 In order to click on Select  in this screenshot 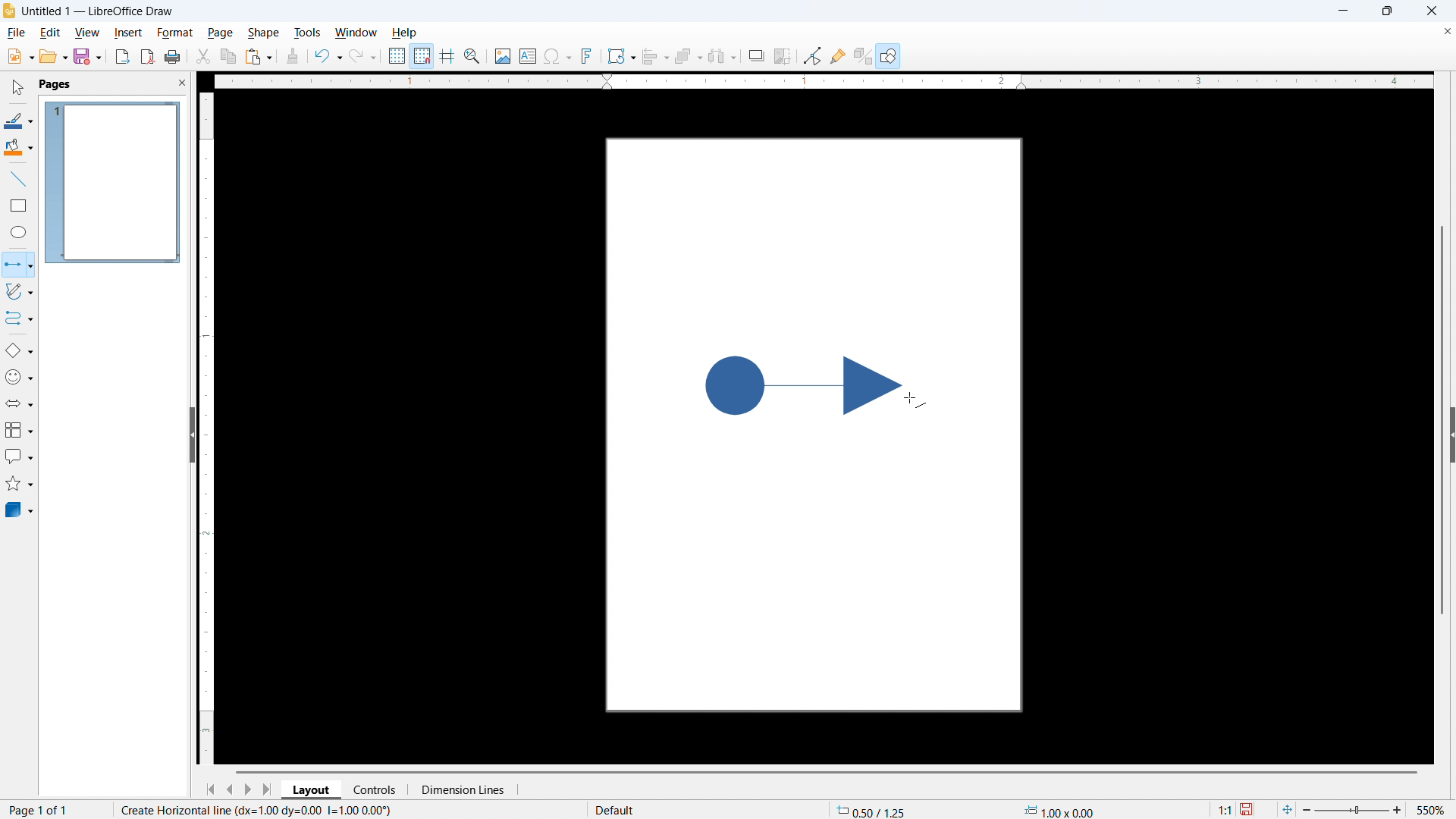, I will do `click(18, 89)`.